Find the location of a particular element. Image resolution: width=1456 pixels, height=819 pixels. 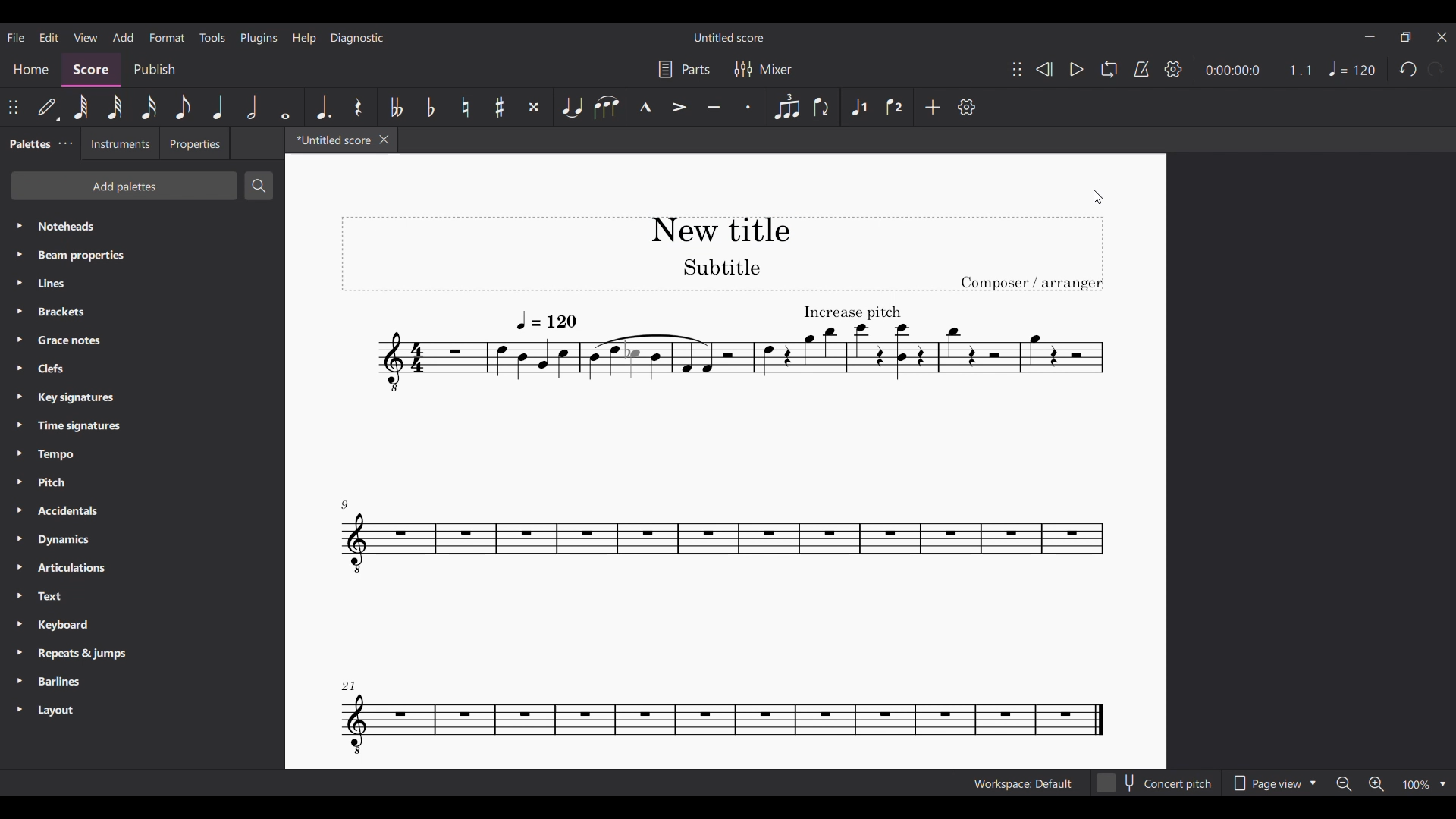

16th note is located at coordinates (149, 107).